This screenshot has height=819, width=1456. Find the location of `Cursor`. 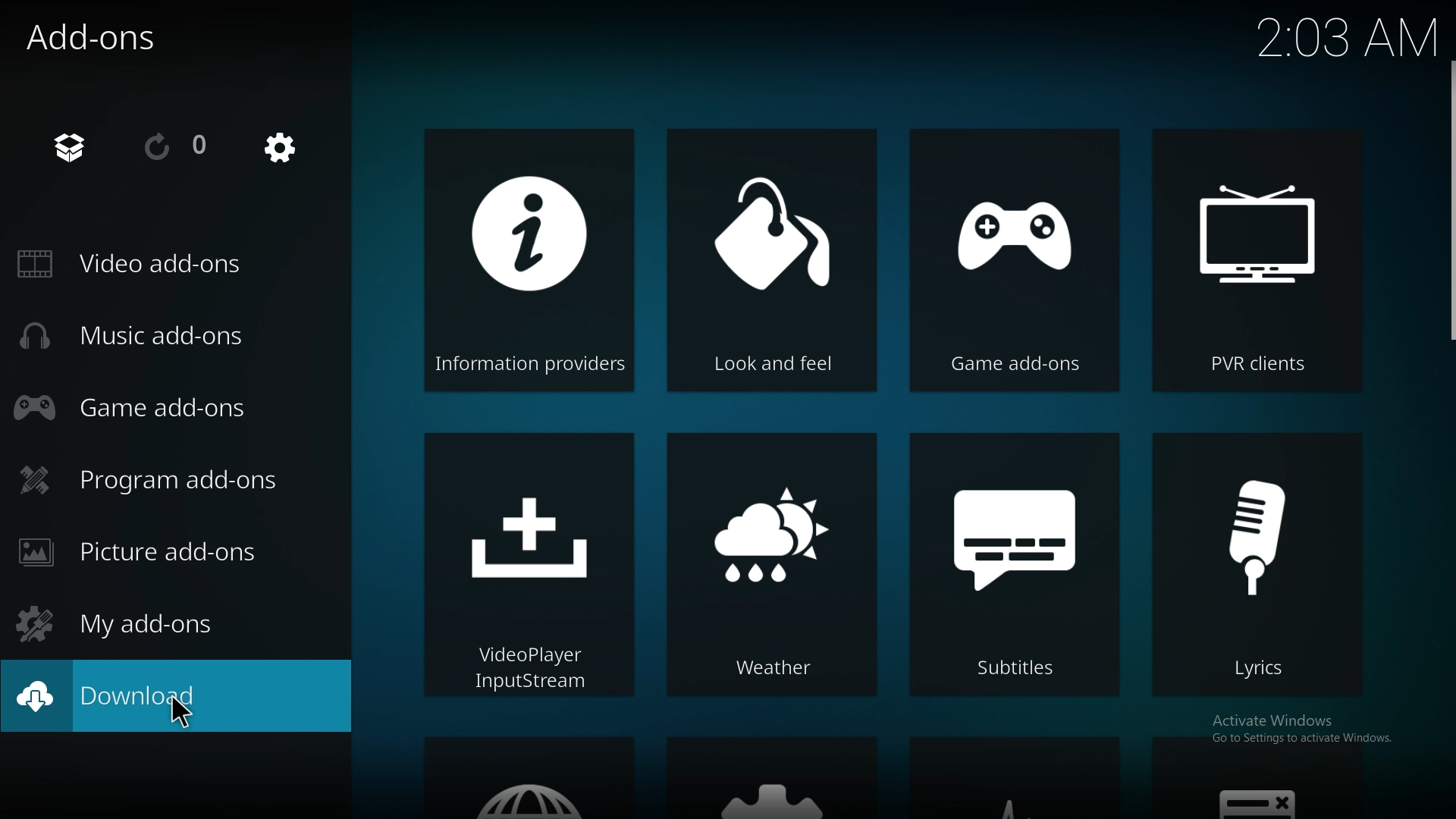

Cursor is located at coordinates (180, 711).